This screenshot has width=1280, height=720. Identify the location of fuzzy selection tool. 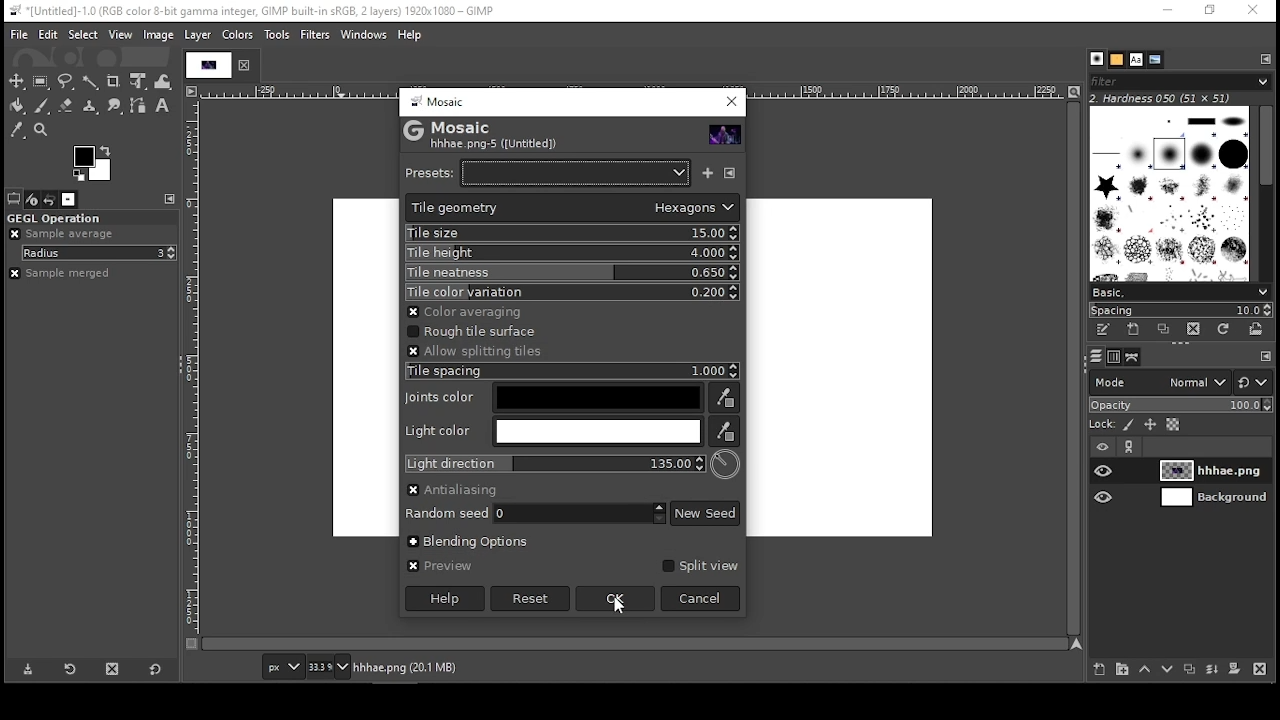
(90, 83).